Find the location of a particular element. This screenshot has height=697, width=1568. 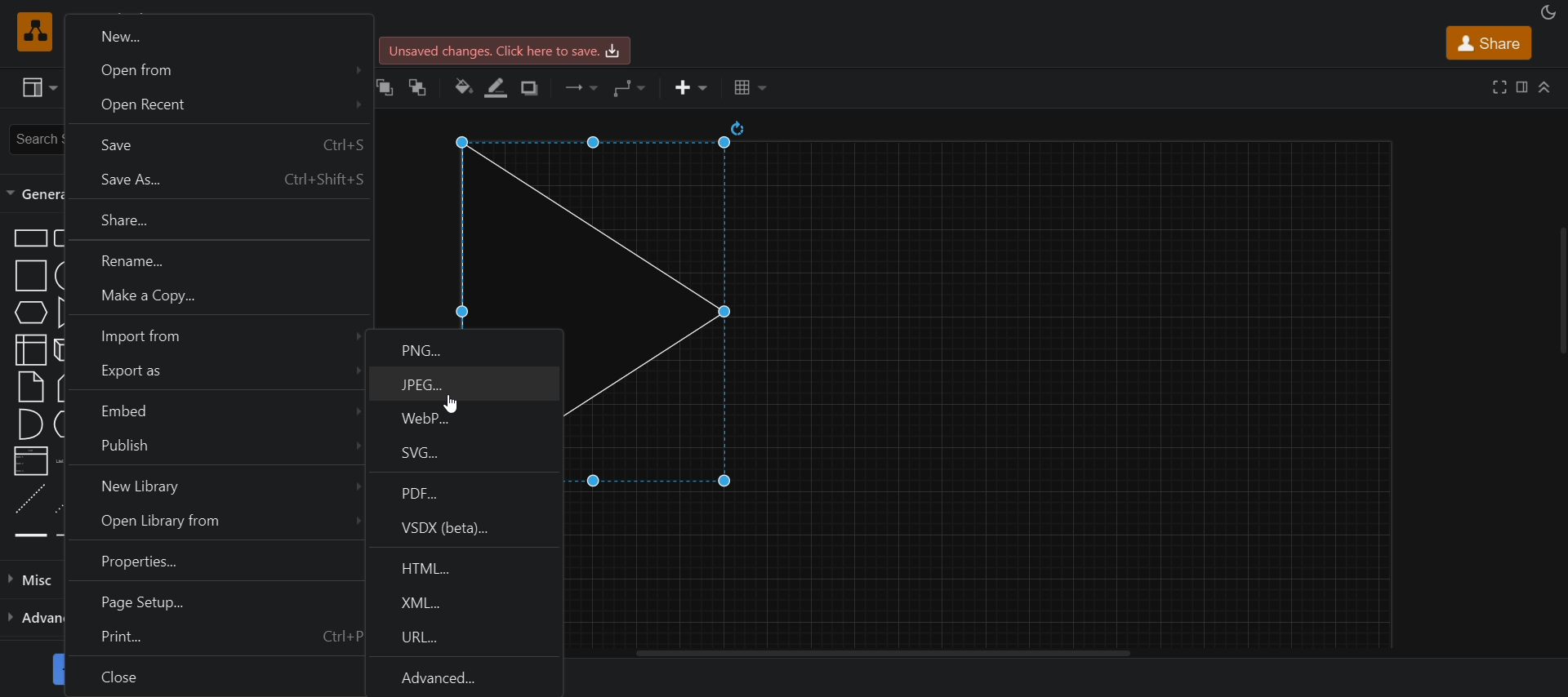

vsdx is located at coordinates (468, 529).